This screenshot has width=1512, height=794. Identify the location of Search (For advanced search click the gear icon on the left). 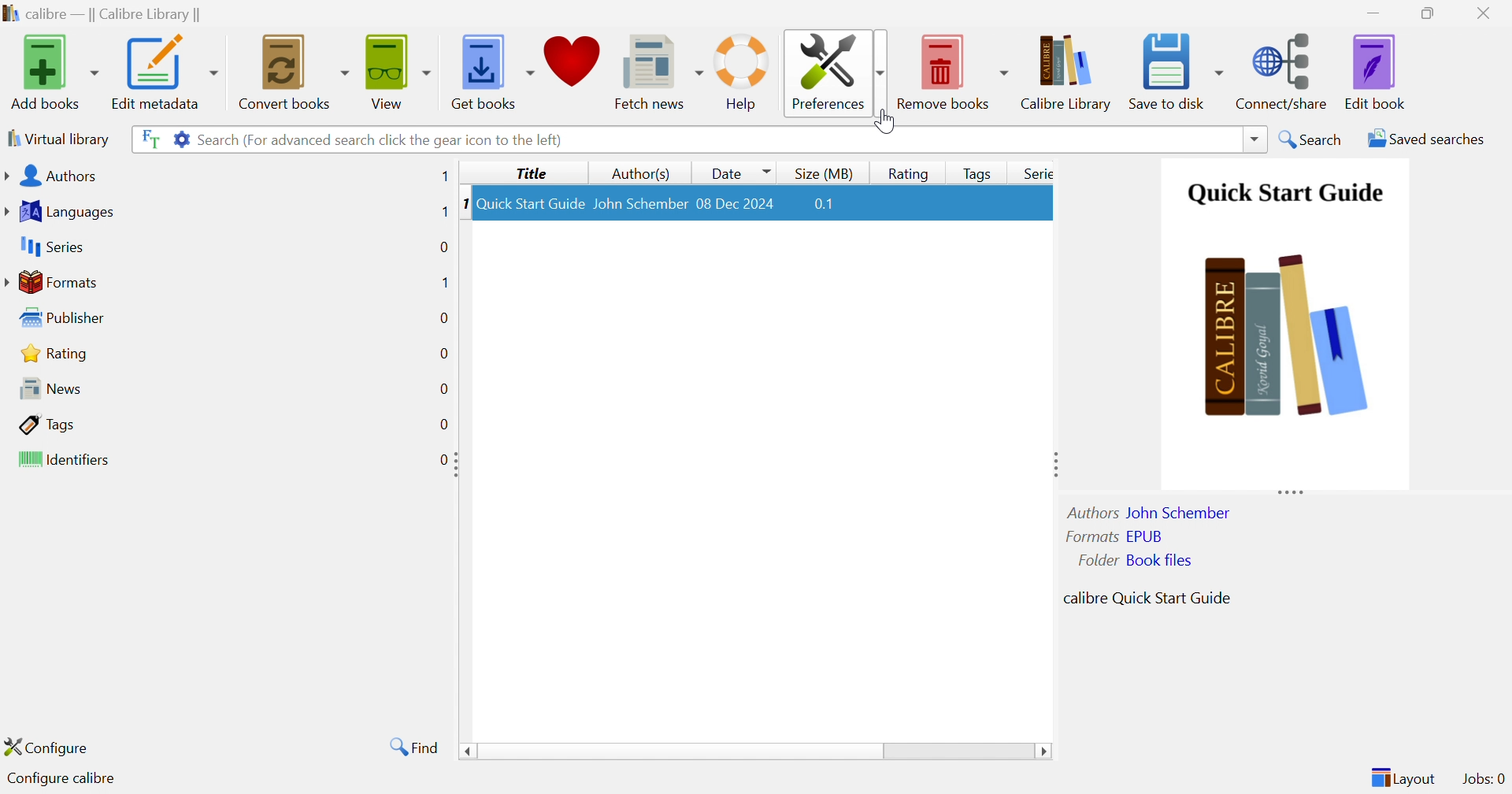
(382, 139).